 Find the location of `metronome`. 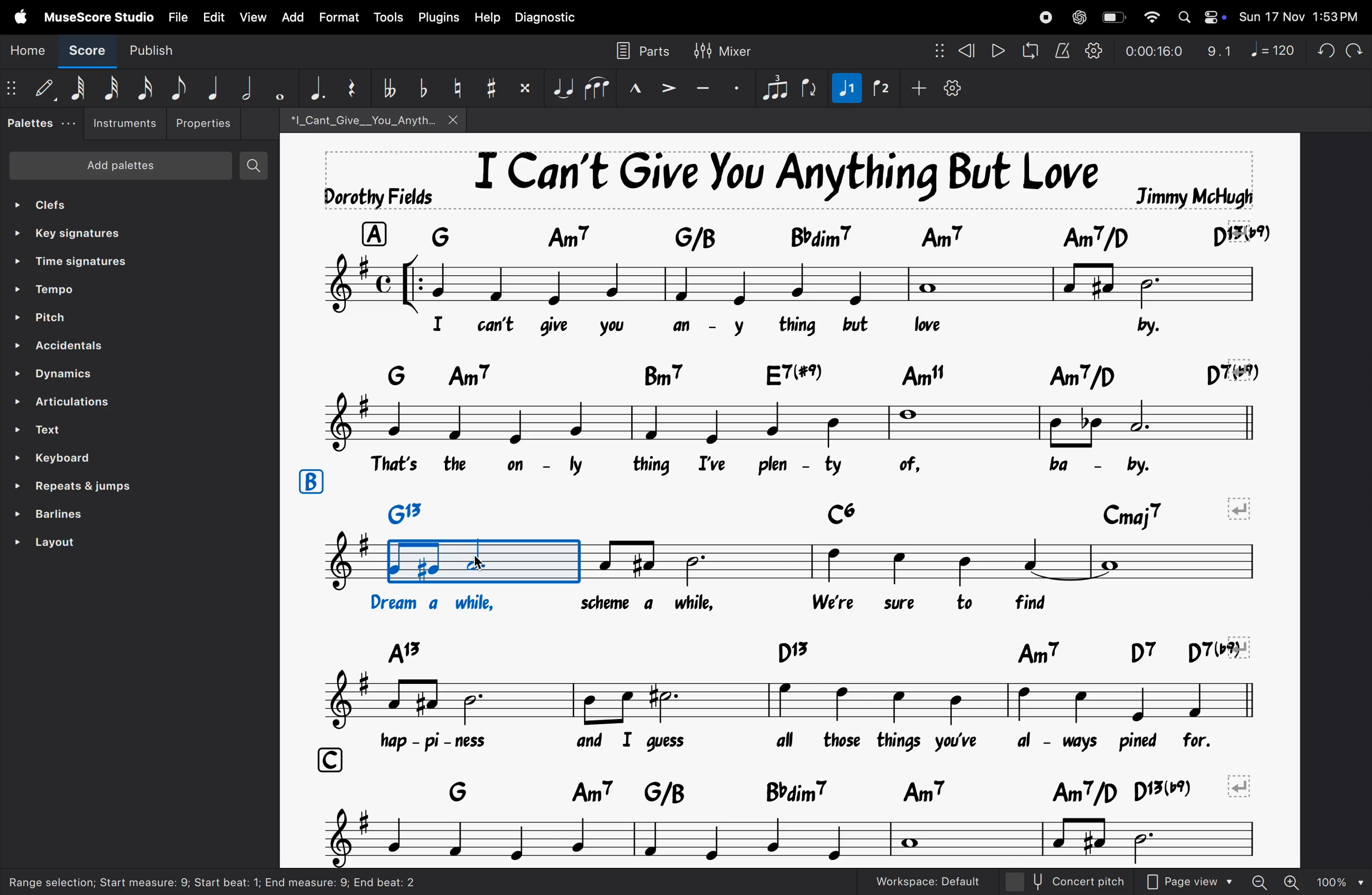

metronome is located at coordinates (1060, 48).